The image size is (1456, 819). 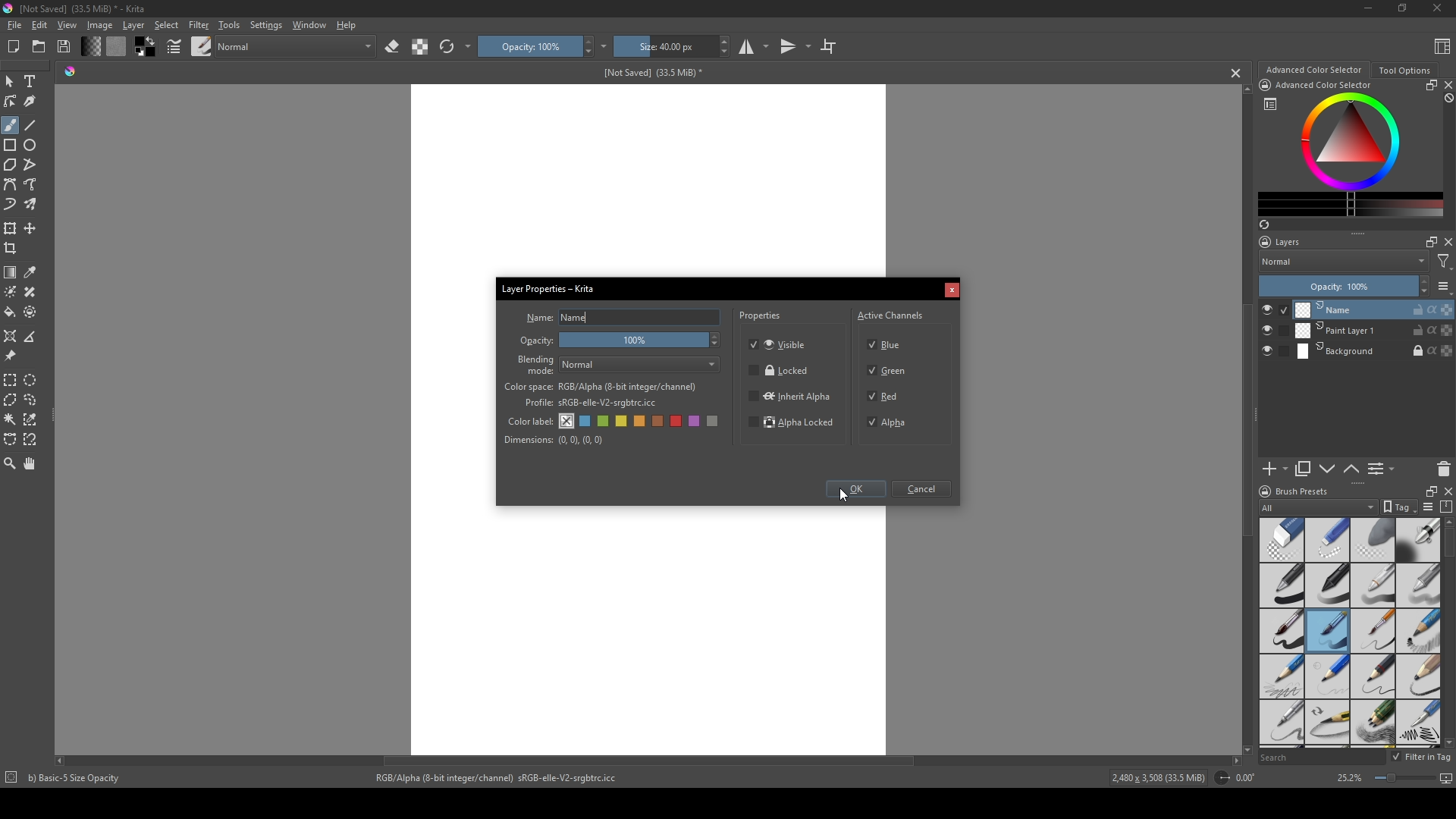 I want to click on grey, so click(x=715, y=422).